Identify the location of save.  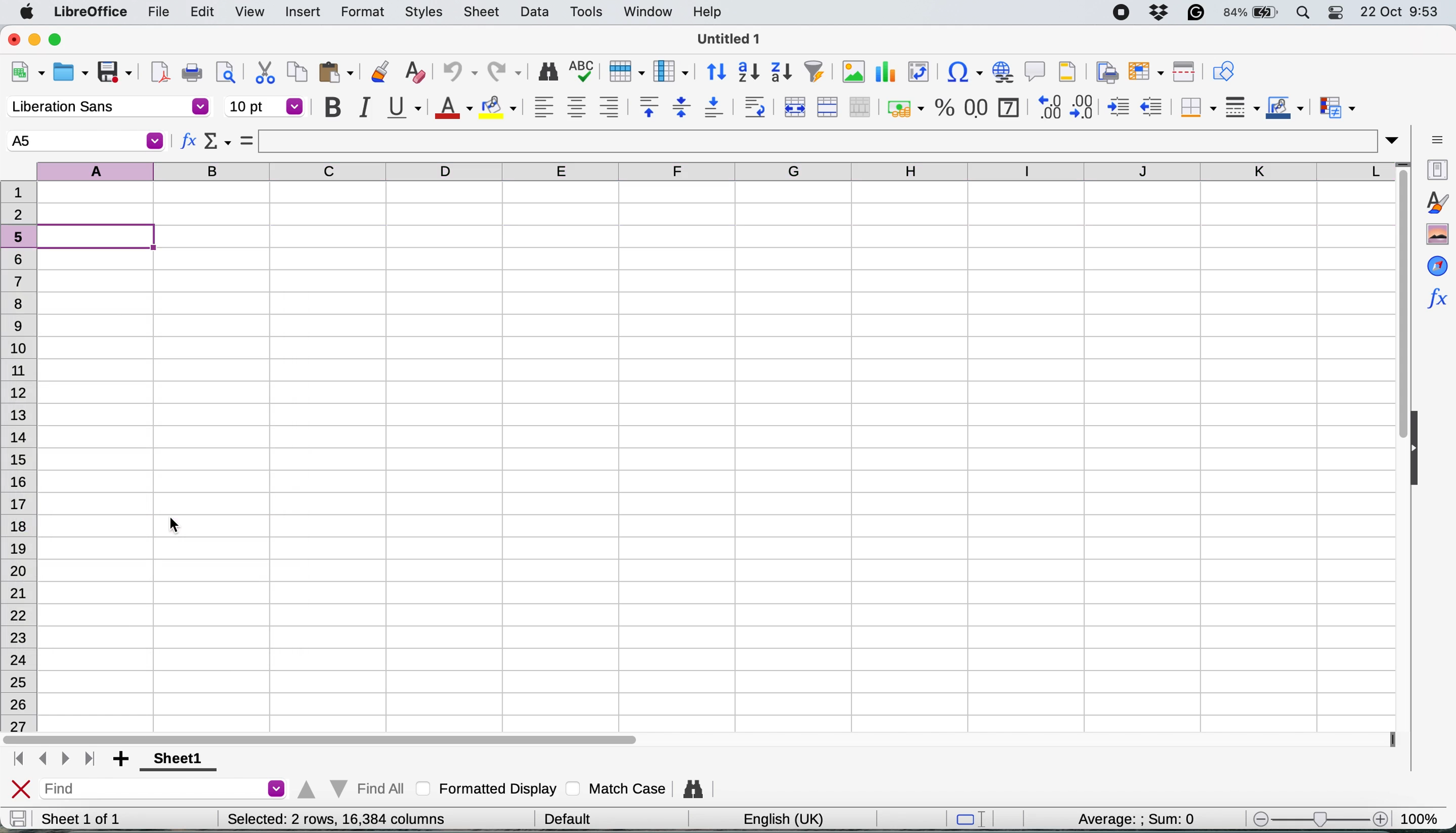
(116, 73).